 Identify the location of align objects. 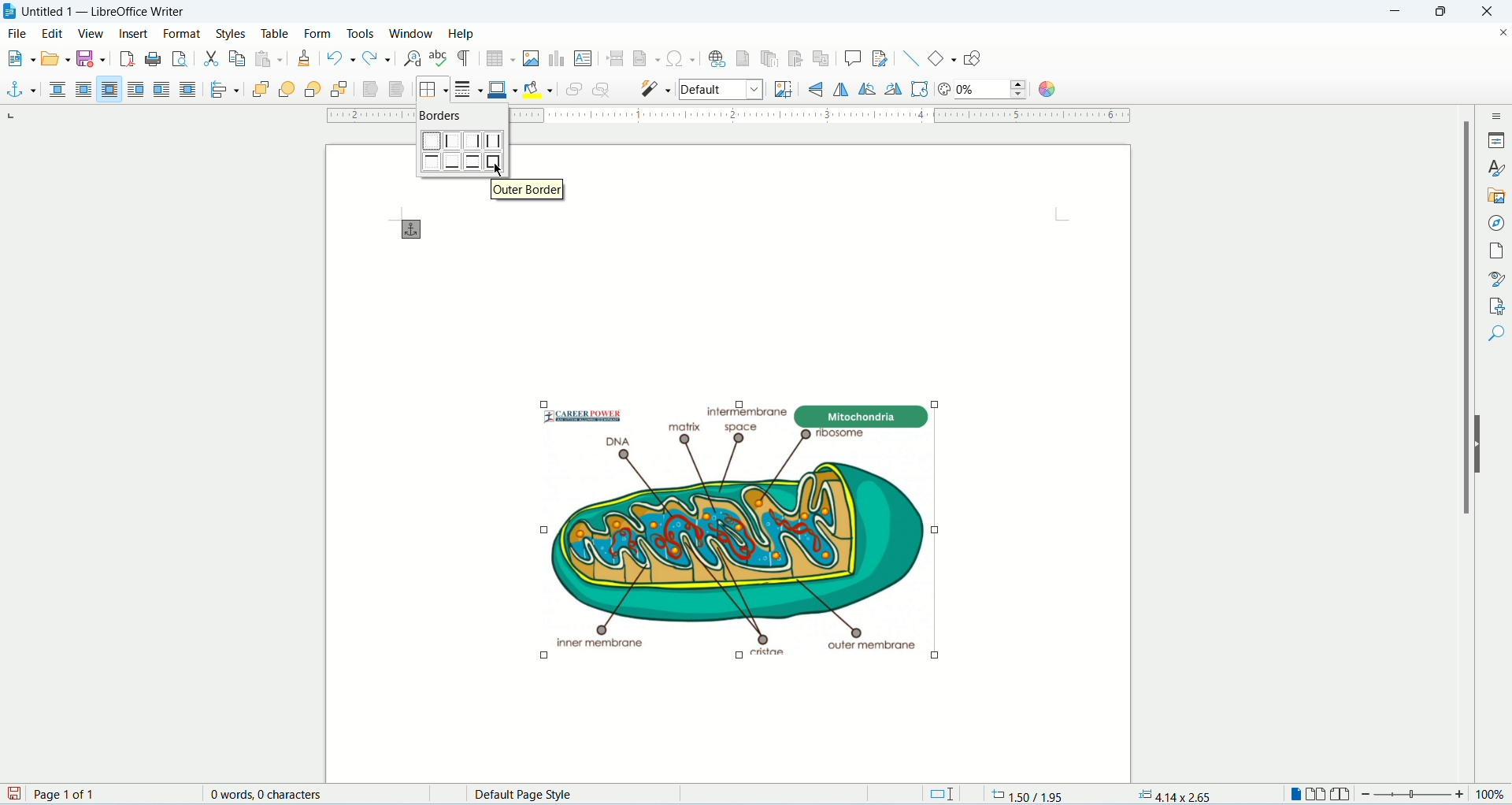
(223, 91).